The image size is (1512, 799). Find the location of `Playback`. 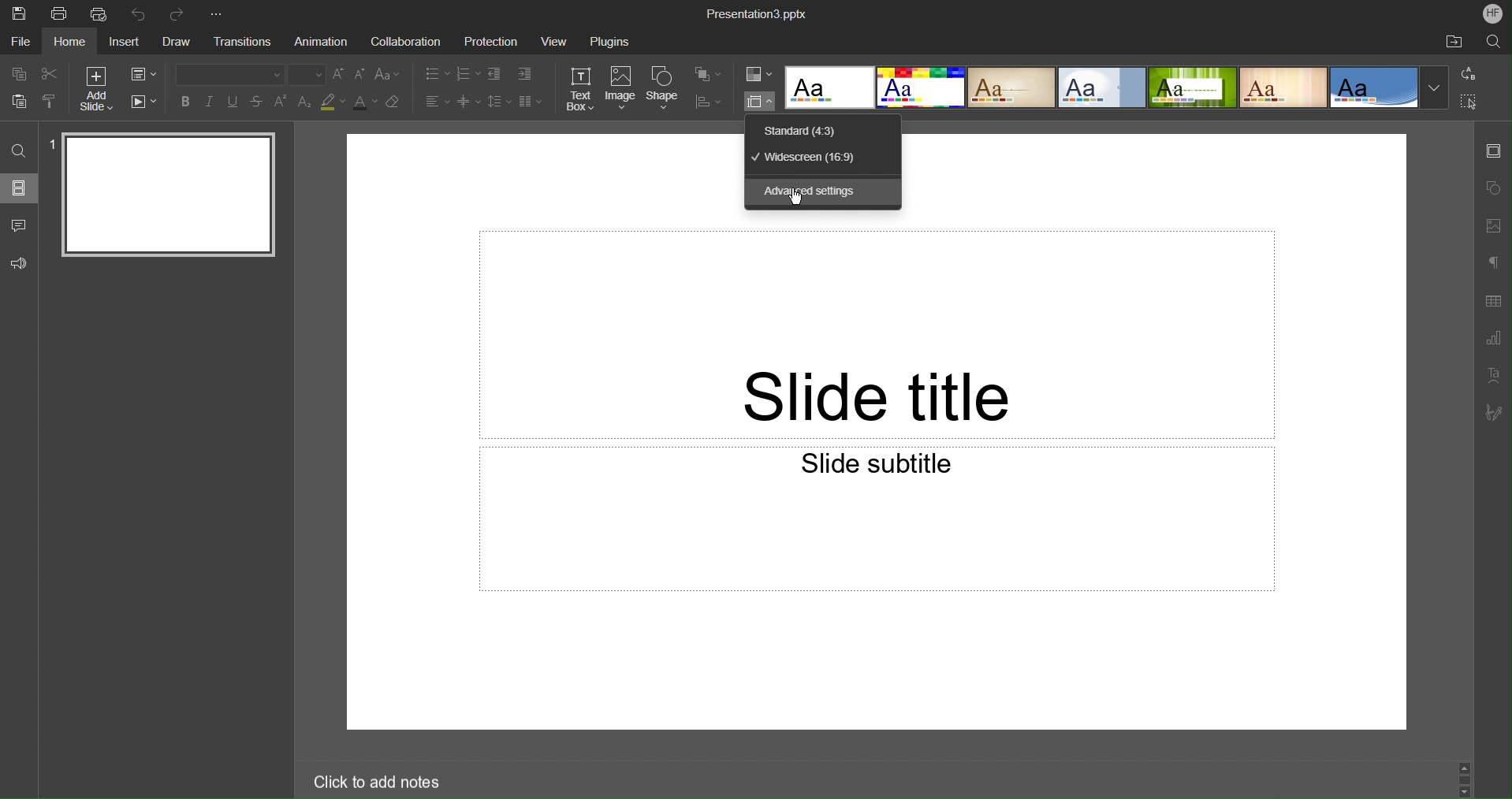

Playback is located at coordinates (145, 102).